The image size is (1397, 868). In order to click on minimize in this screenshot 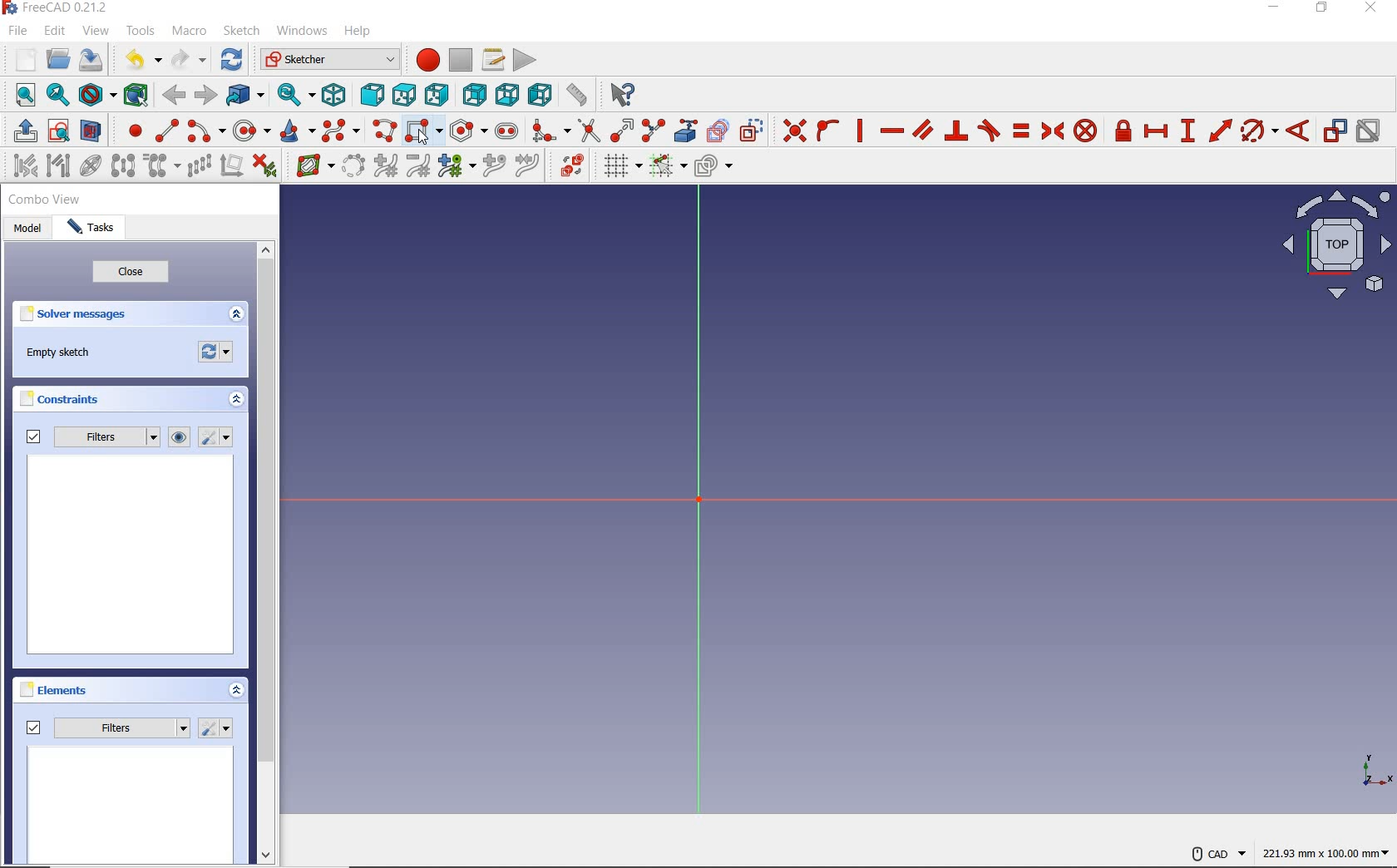, I will do `click(1275, 11)`.